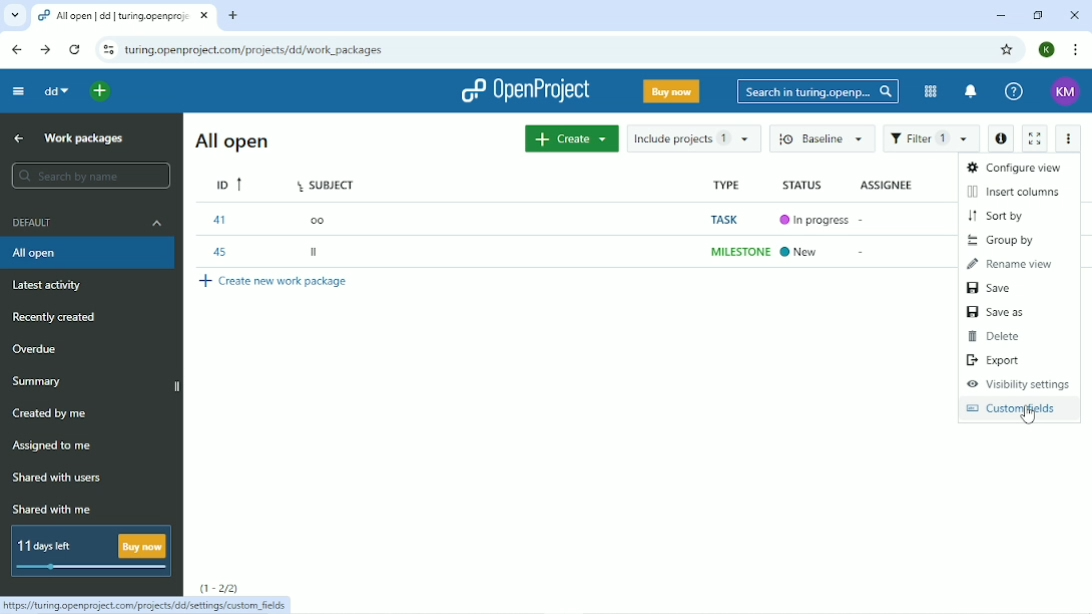 This screenshot has width=1092, height=614. I want to click on More actions, so click(1070, 139).